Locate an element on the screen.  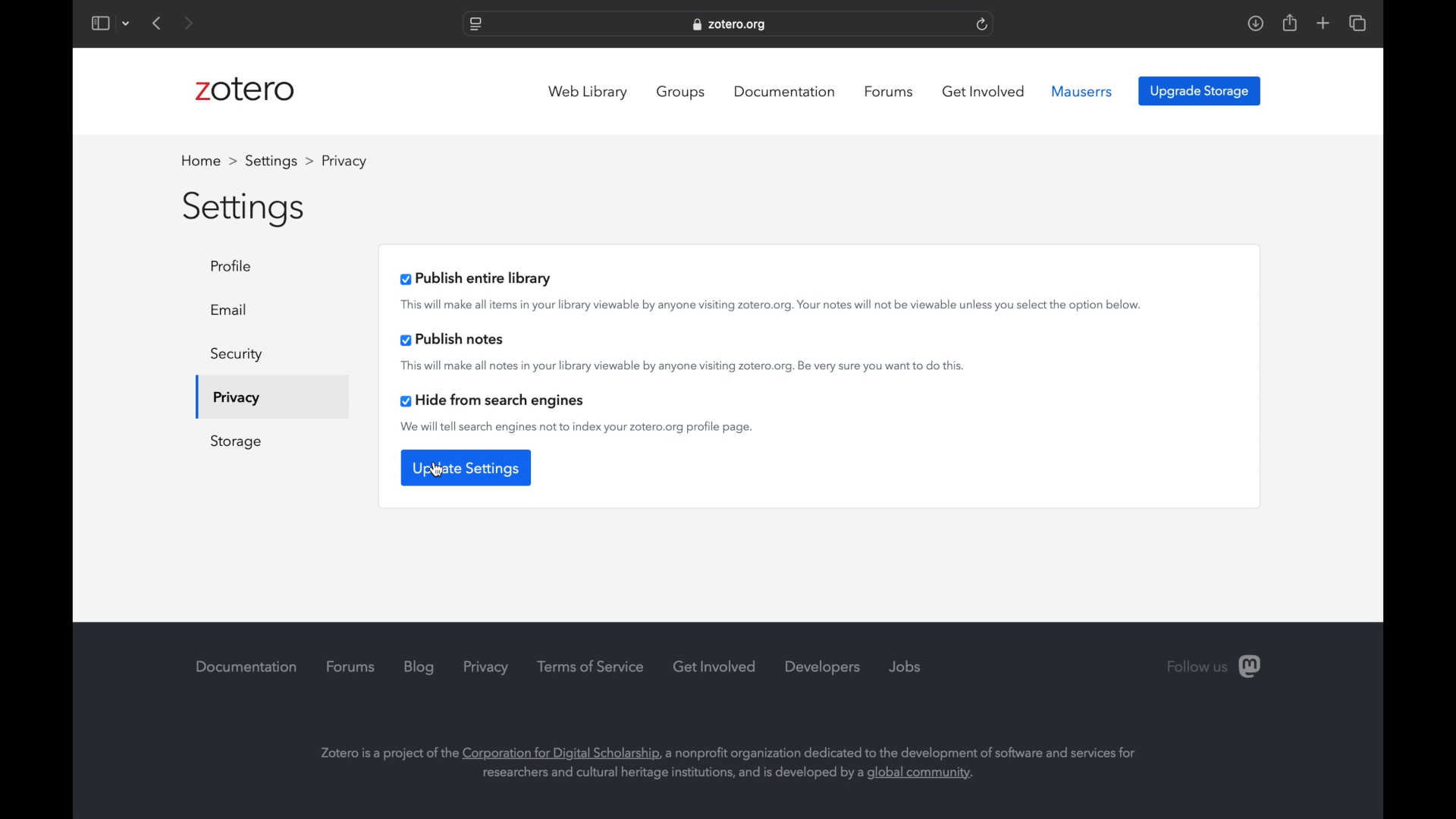
groups is located at coordinates (682, 92).